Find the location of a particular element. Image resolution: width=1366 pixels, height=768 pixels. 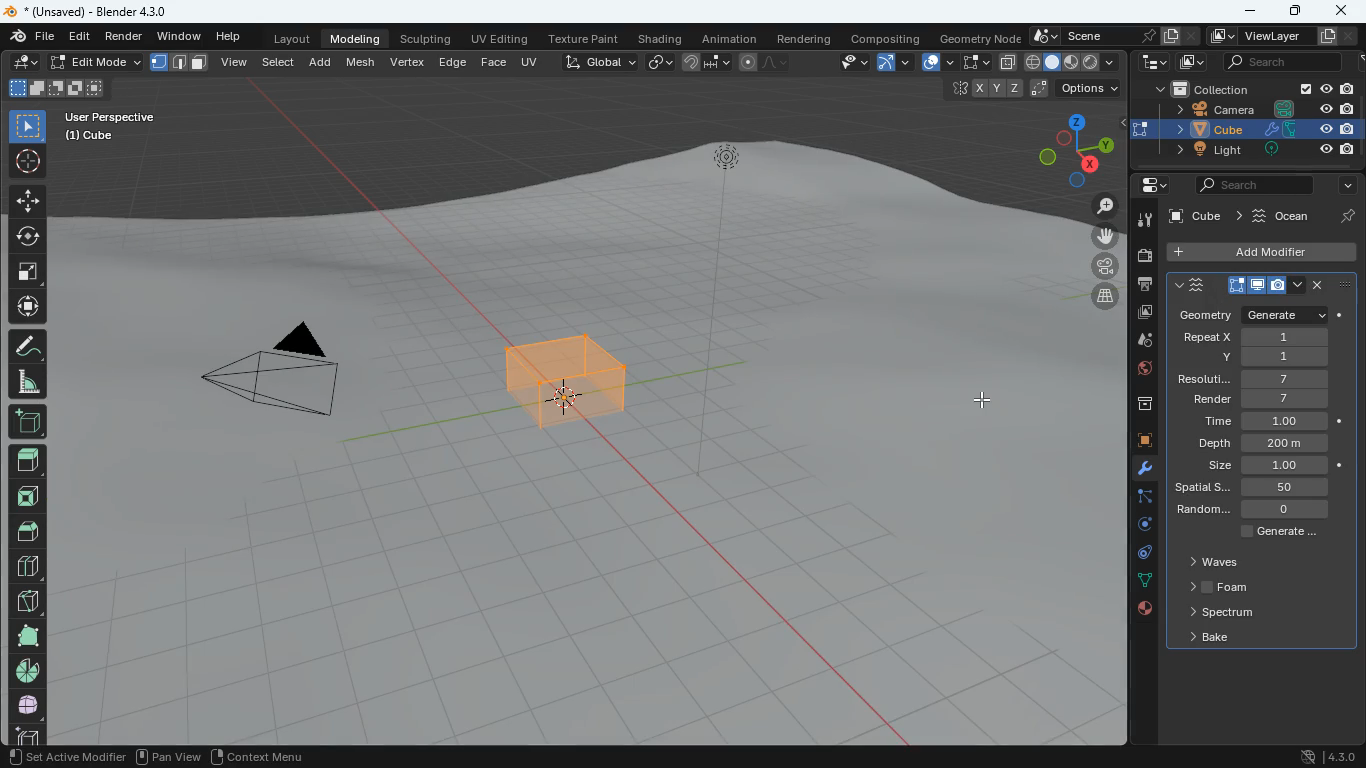

move is located at coordinates (1101, 237).